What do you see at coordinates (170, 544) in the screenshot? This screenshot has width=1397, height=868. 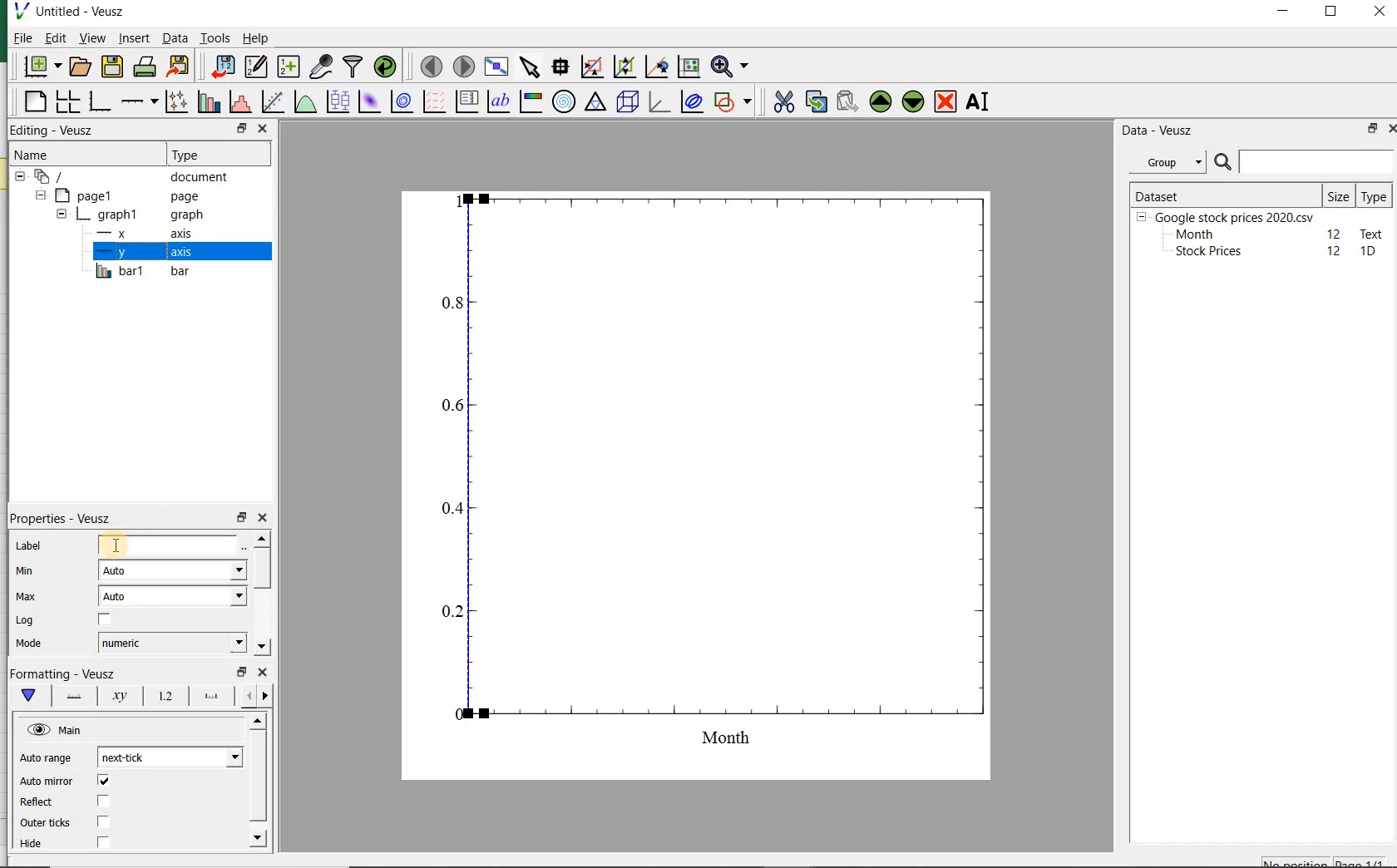 I see `input field` at bounding box center [170, 544].